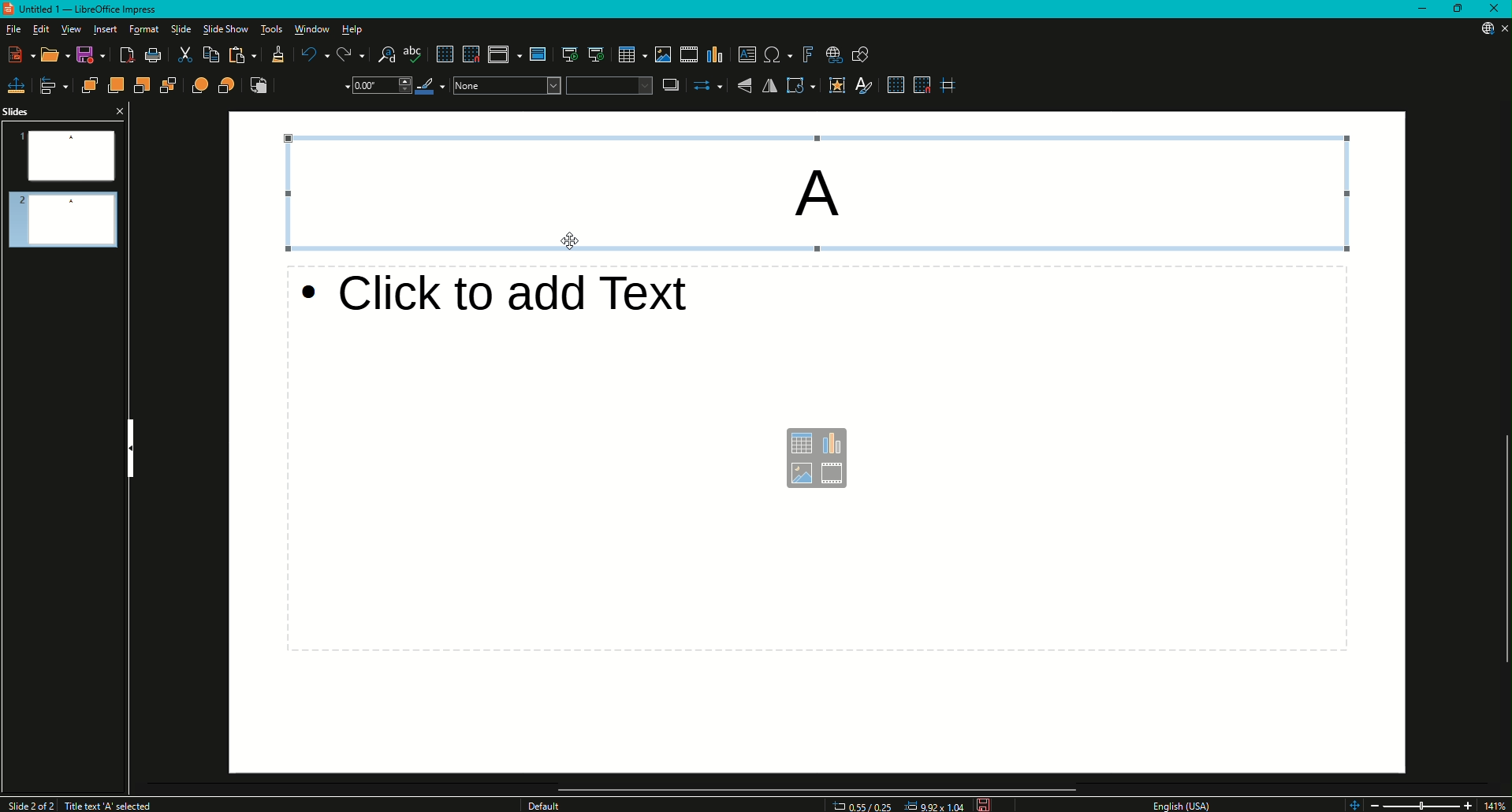 The width and height of the screenshot is (1512, 812). Describe the element at coordinates (1422, 9) in the screenshot. I see `Minimize` at that location.